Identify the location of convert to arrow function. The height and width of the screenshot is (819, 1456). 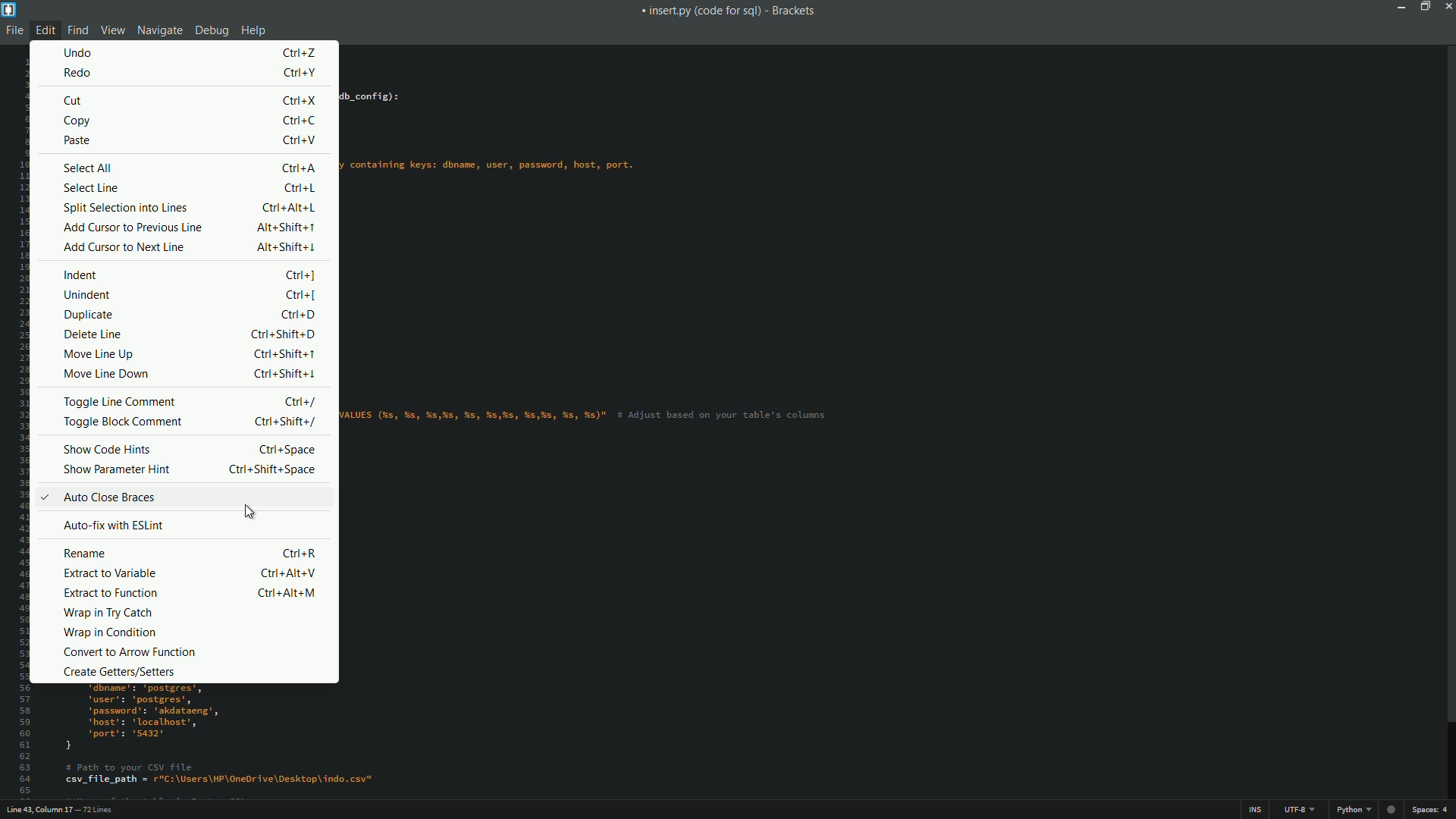
(133, 652).